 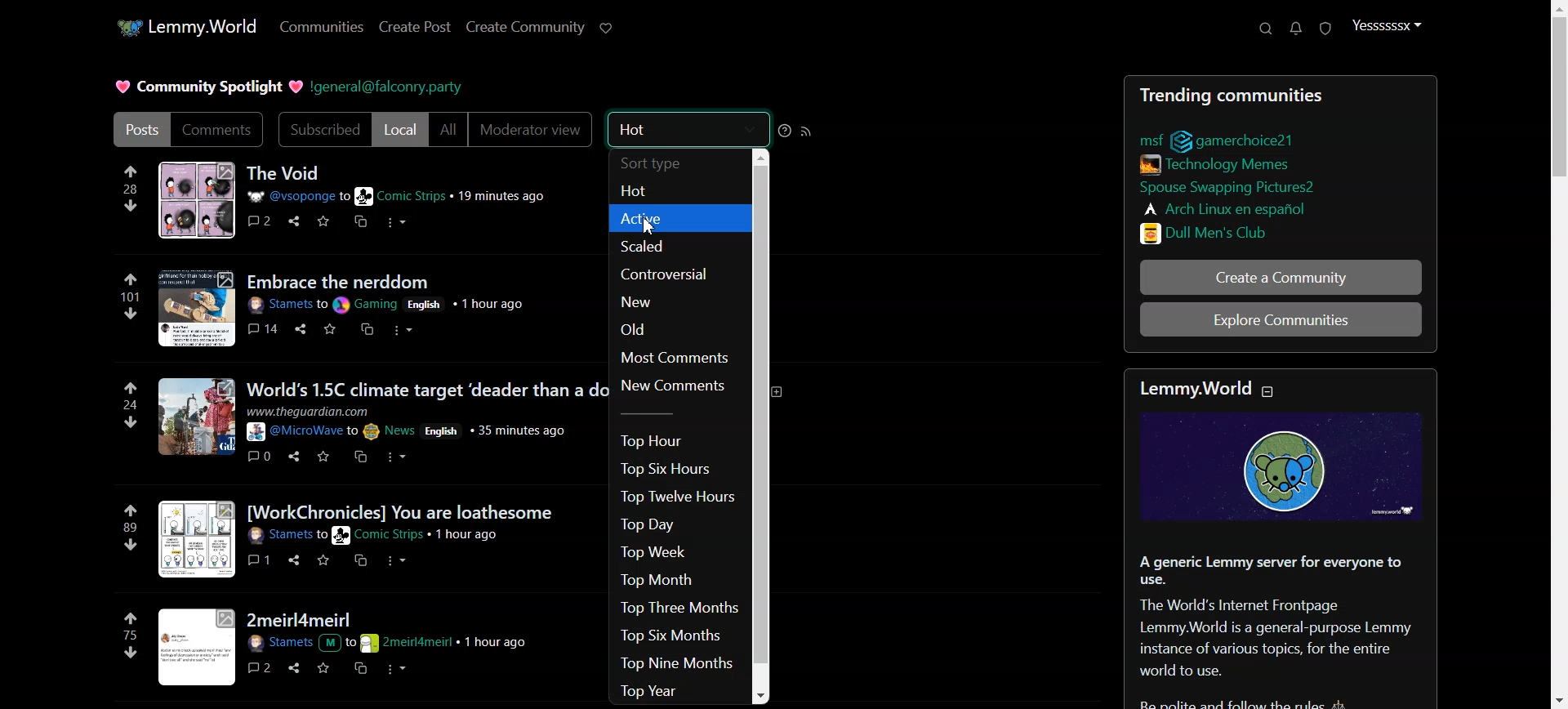 I want to click on save, so click(x=320, y=667).